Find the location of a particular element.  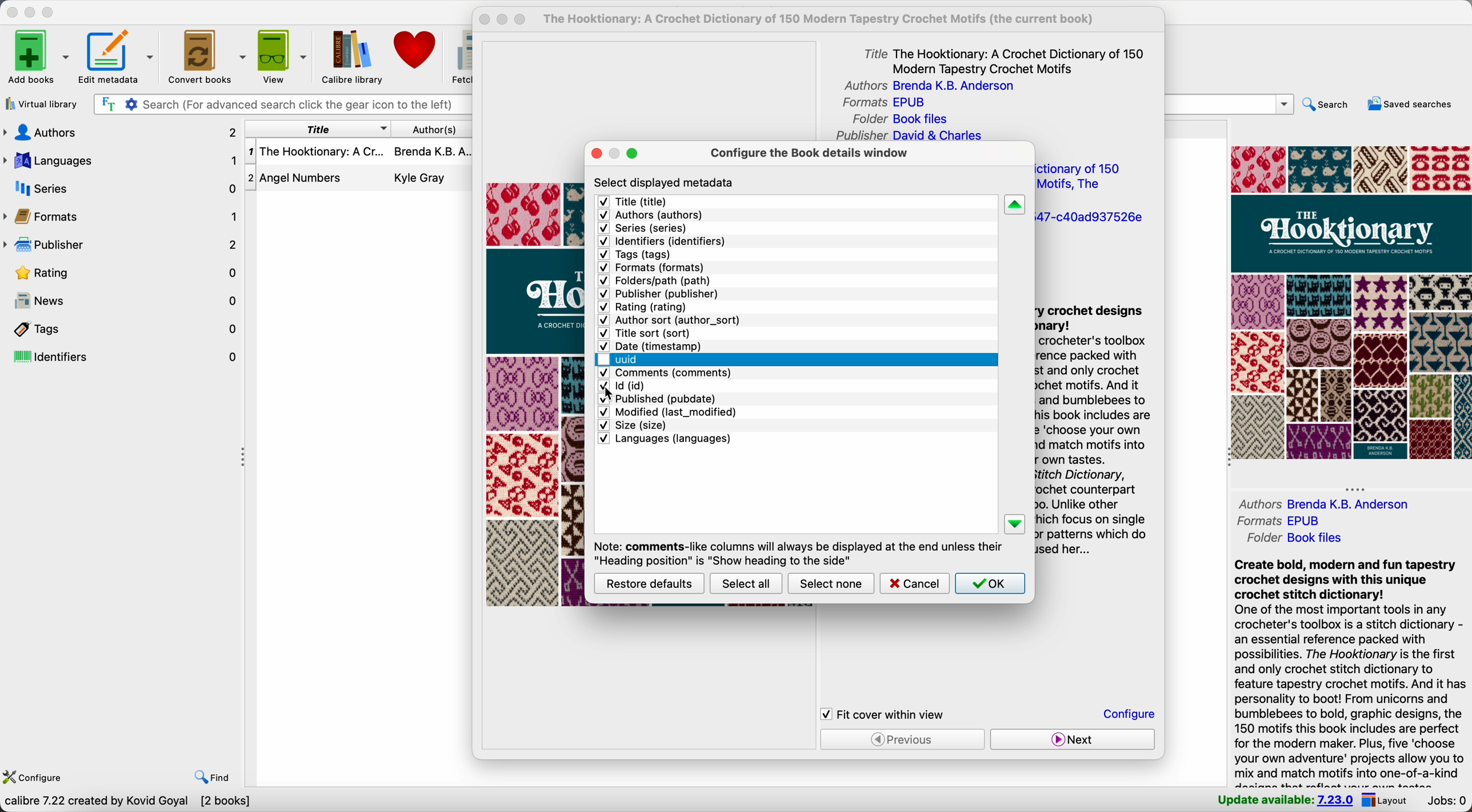

fit cover within view is located at coordinates (883, 714).